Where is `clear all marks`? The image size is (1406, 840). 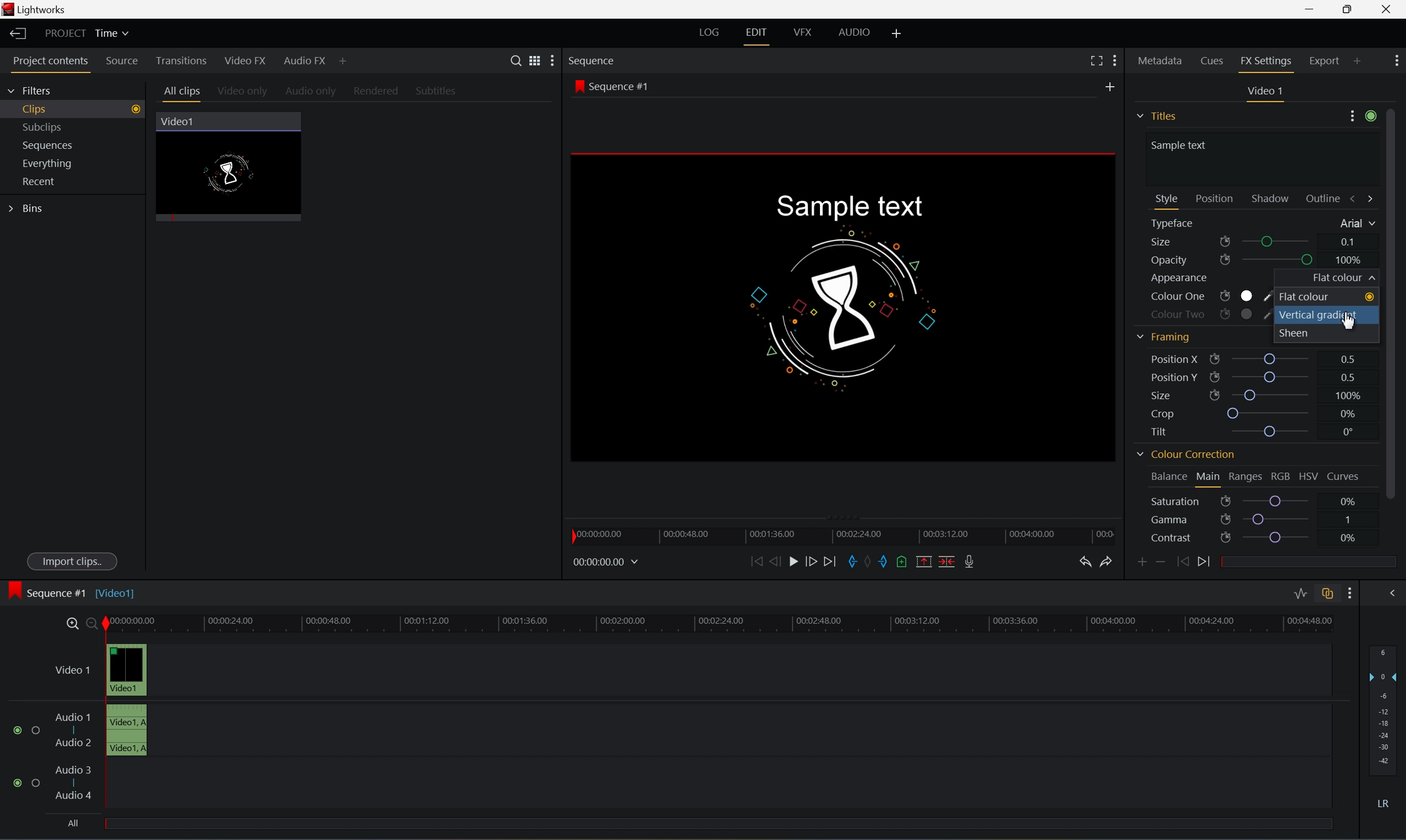 clear all marks is located at coordinates (871, 561).